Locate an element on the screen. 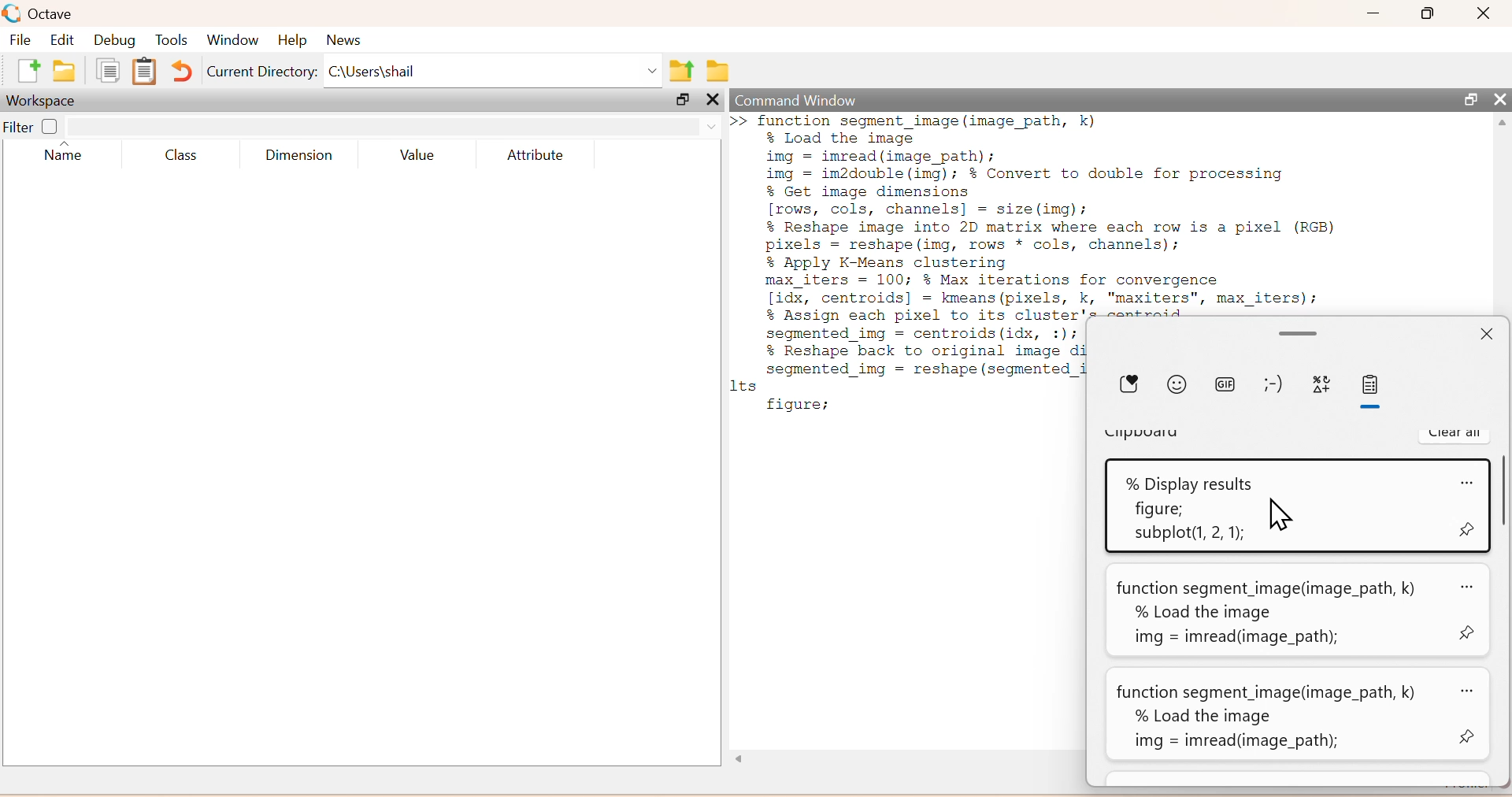  copy is located at coordinates (108, 70).